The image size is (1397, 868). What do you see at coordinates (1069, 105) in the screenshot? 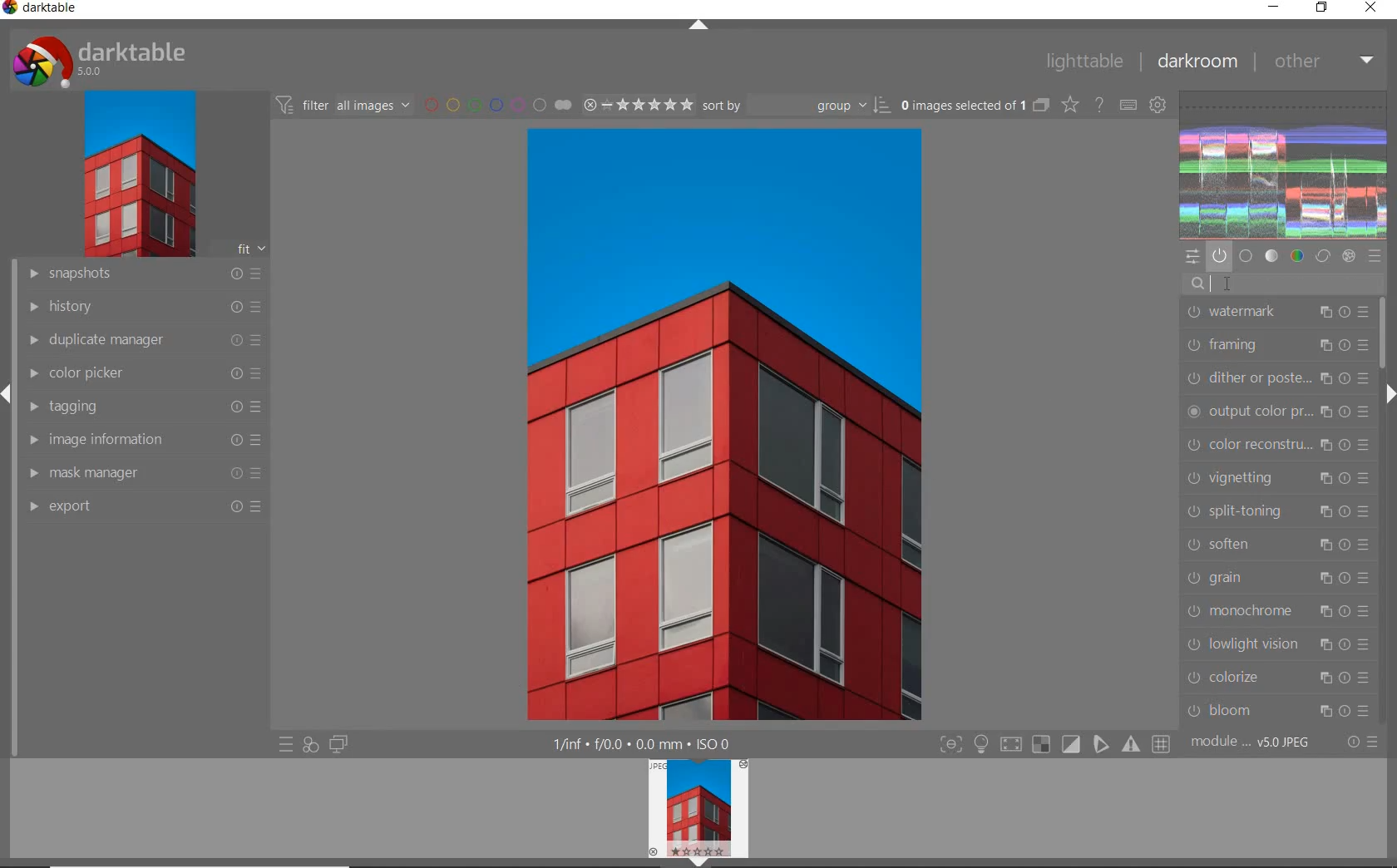
I see `change type of overlay` at bounding box center [1069, 105].